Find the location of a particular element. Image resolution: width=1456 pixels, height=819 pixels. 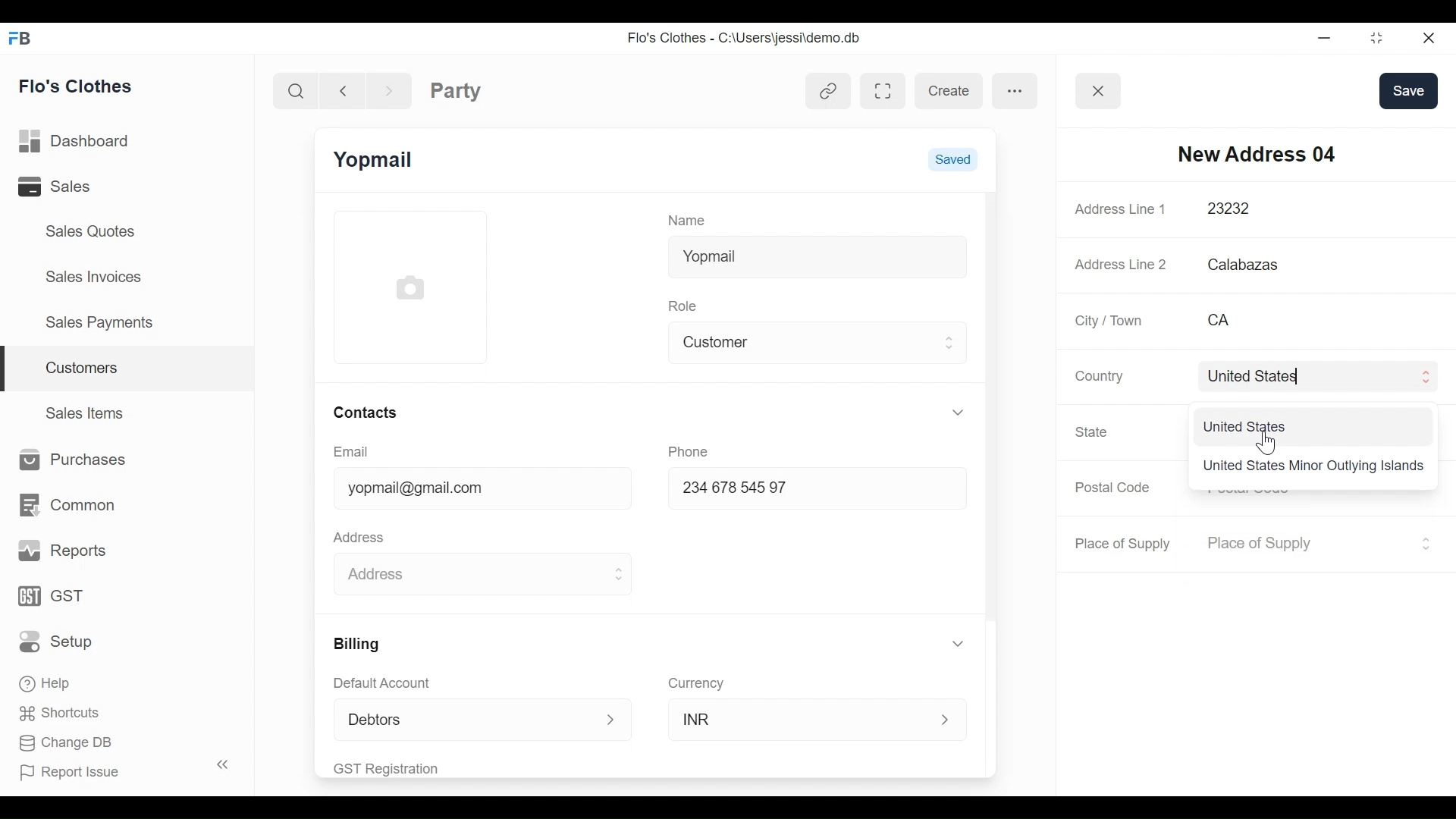

Phone is located at coordinates (693, 450).